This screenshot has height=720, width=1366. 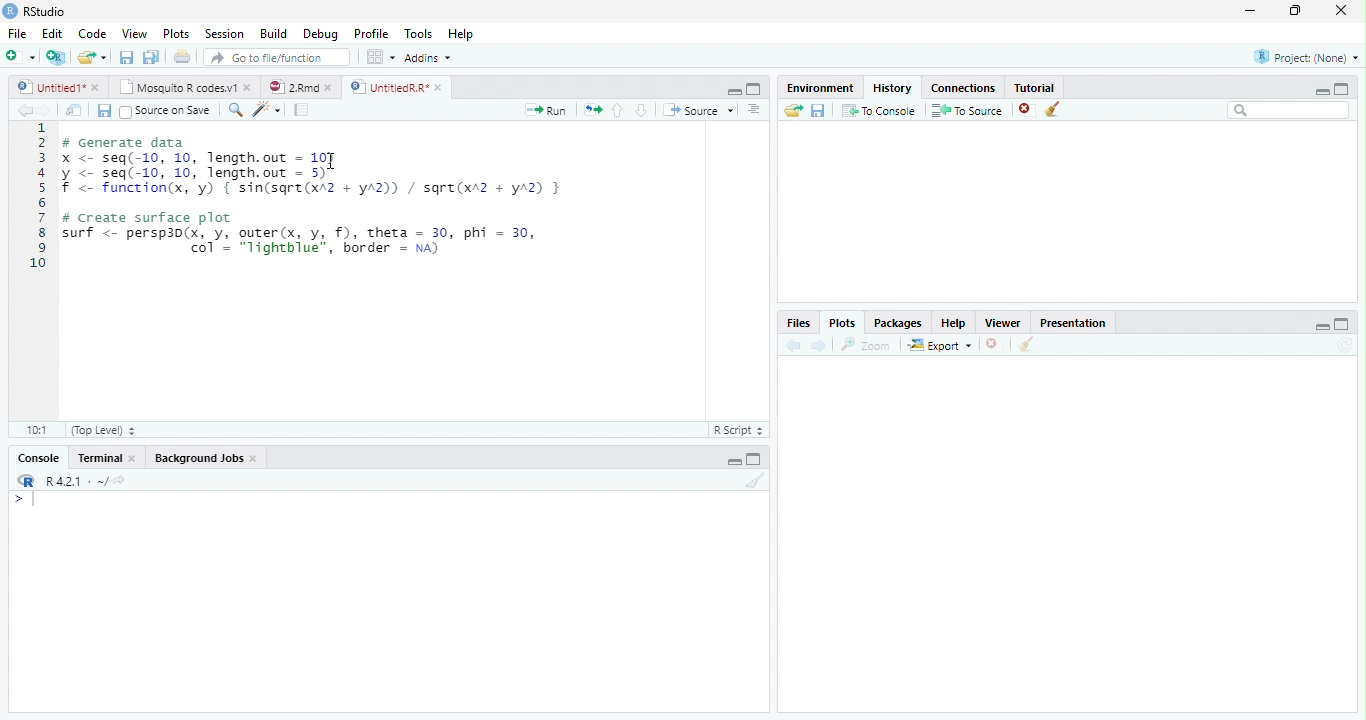 What do you see at coordinates (753, 108) in the screenshot?
I see `Show document outline` at bounding box center [753, 108].